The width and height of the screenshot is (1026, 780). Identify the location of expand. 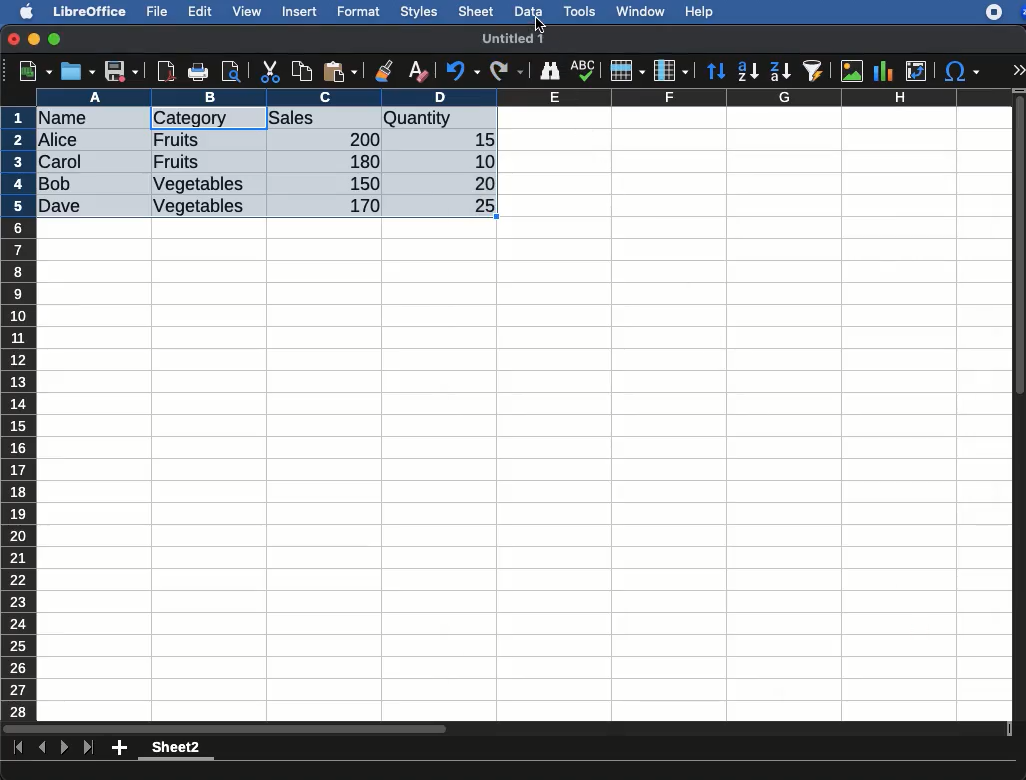
(1018, 70).